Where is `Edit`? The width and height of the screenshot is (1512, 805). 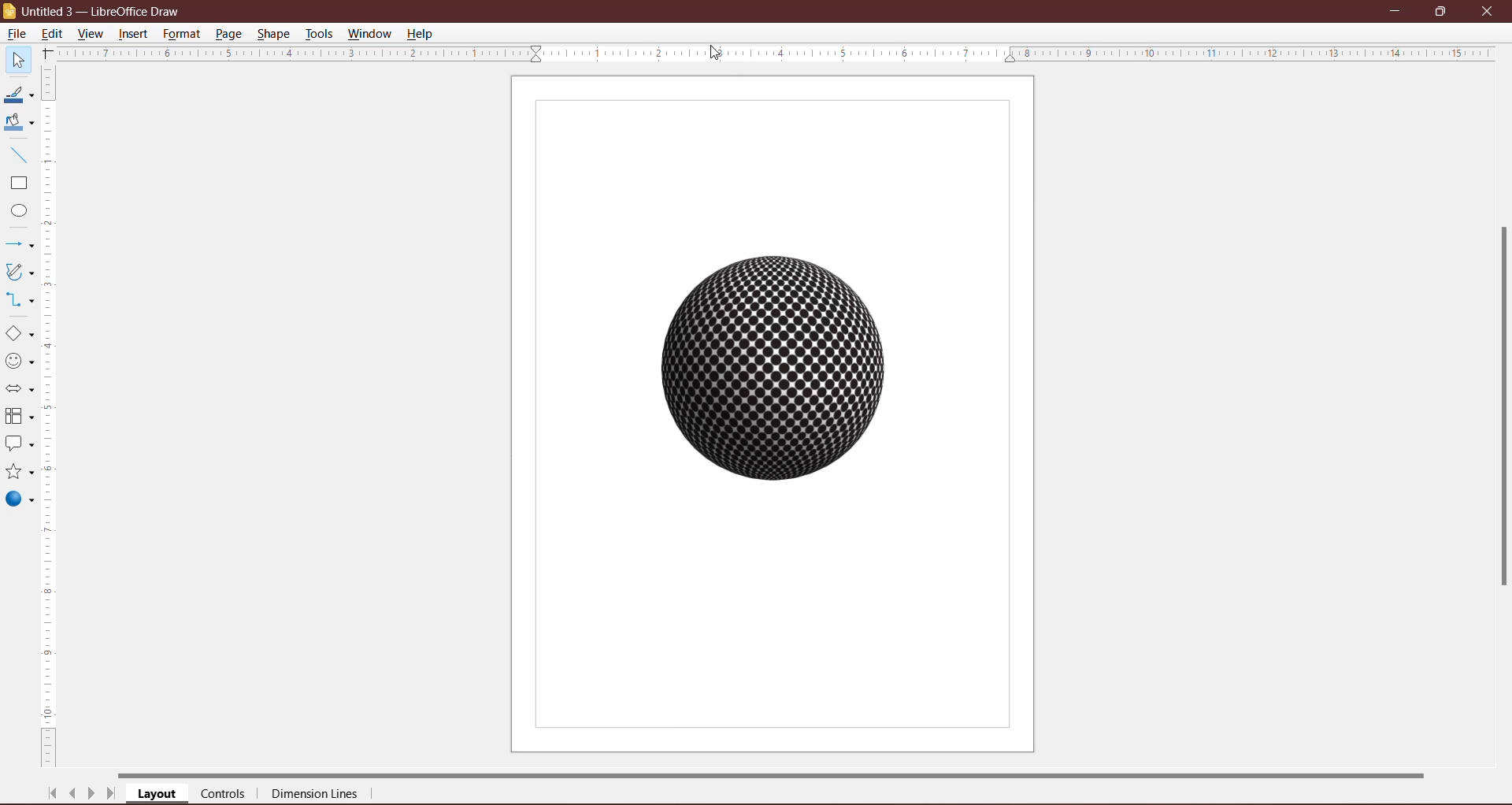
Edit is located at coordinates (55, 32).